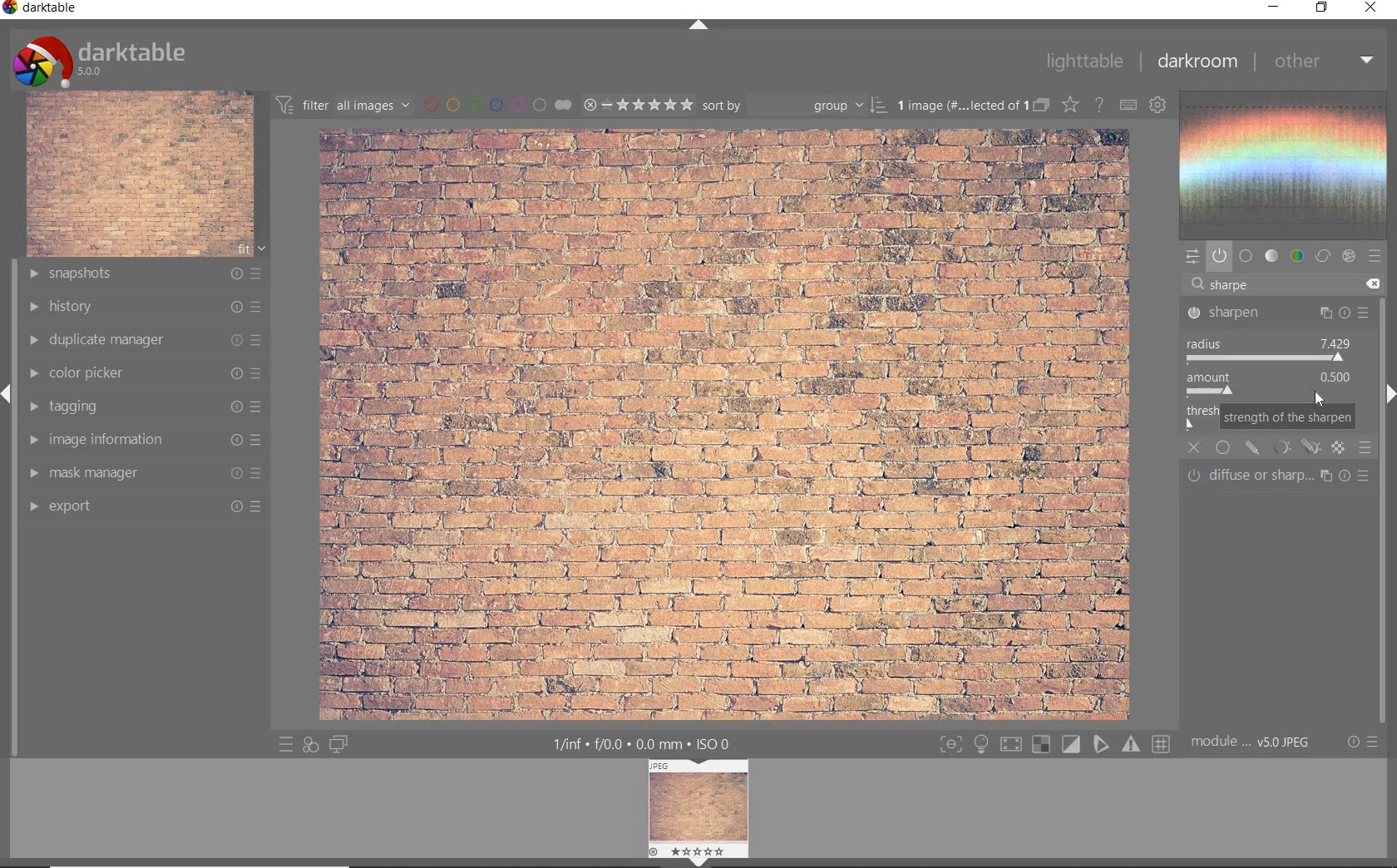  Describe the element at coordinates (1054, 742) in the screenshot. I see `toggle modes` at that location.